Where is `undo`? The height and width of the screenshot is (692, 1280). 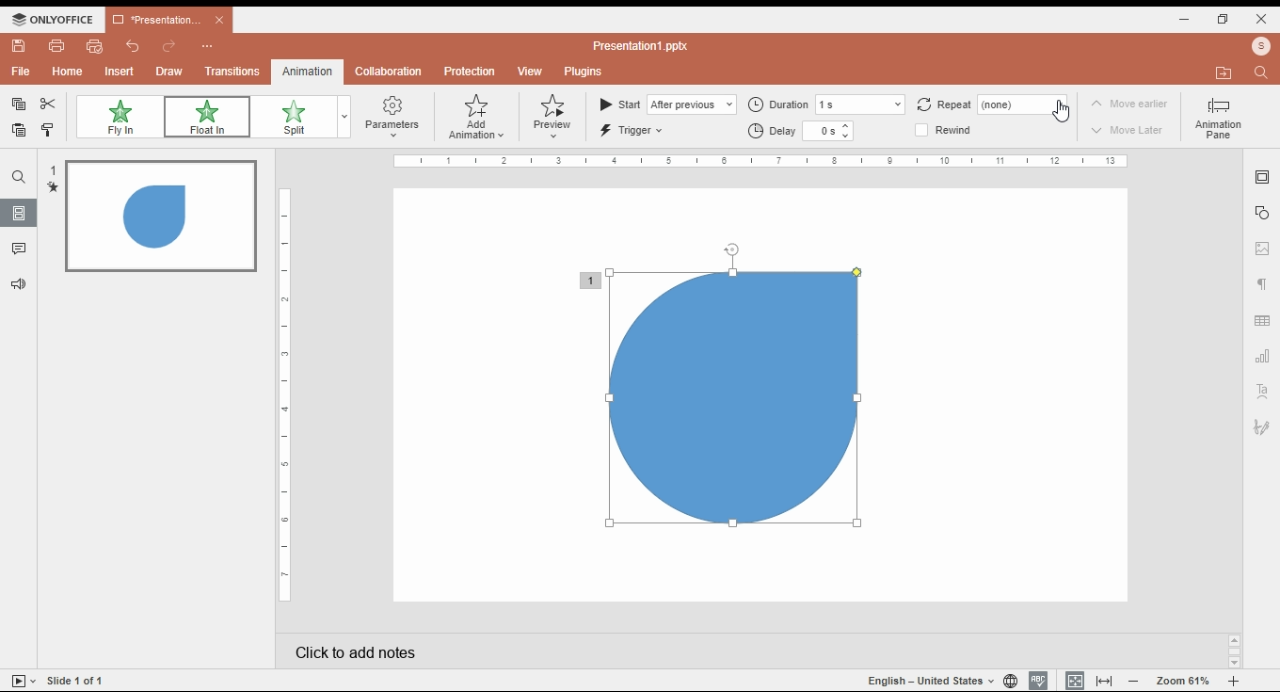 undo is located at coordinates (133, 46).